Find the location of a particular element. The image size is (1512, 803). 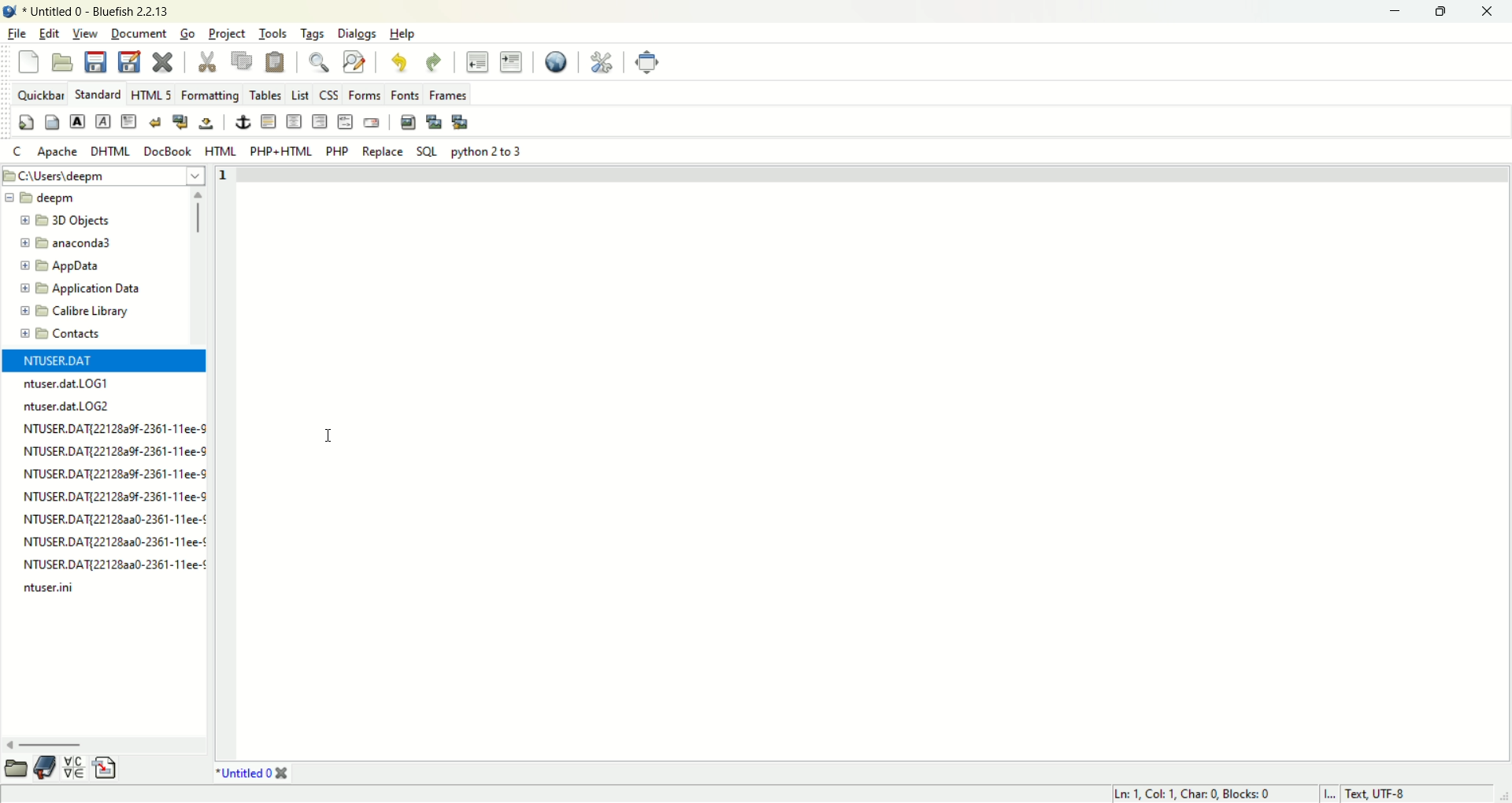

scroll bar is located at coordinates (104, 747).